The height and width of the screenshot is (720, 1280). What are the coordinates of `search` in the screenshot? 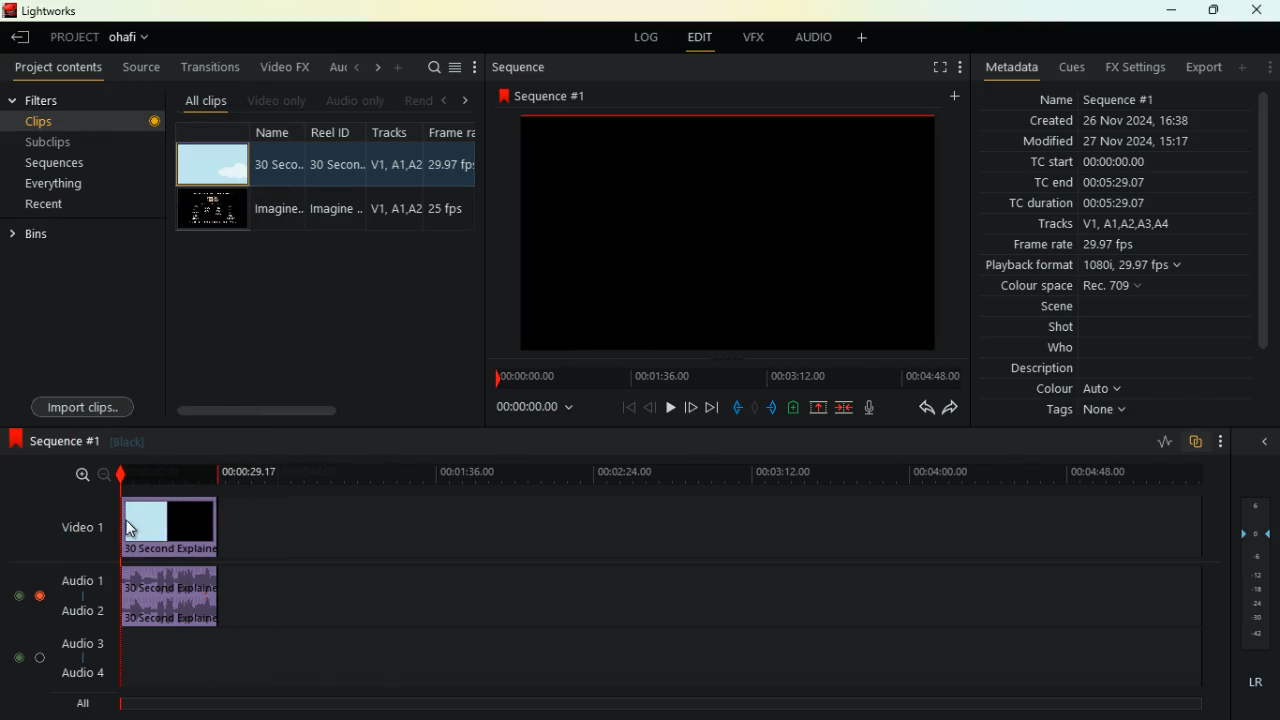 It's located at (431, 69).